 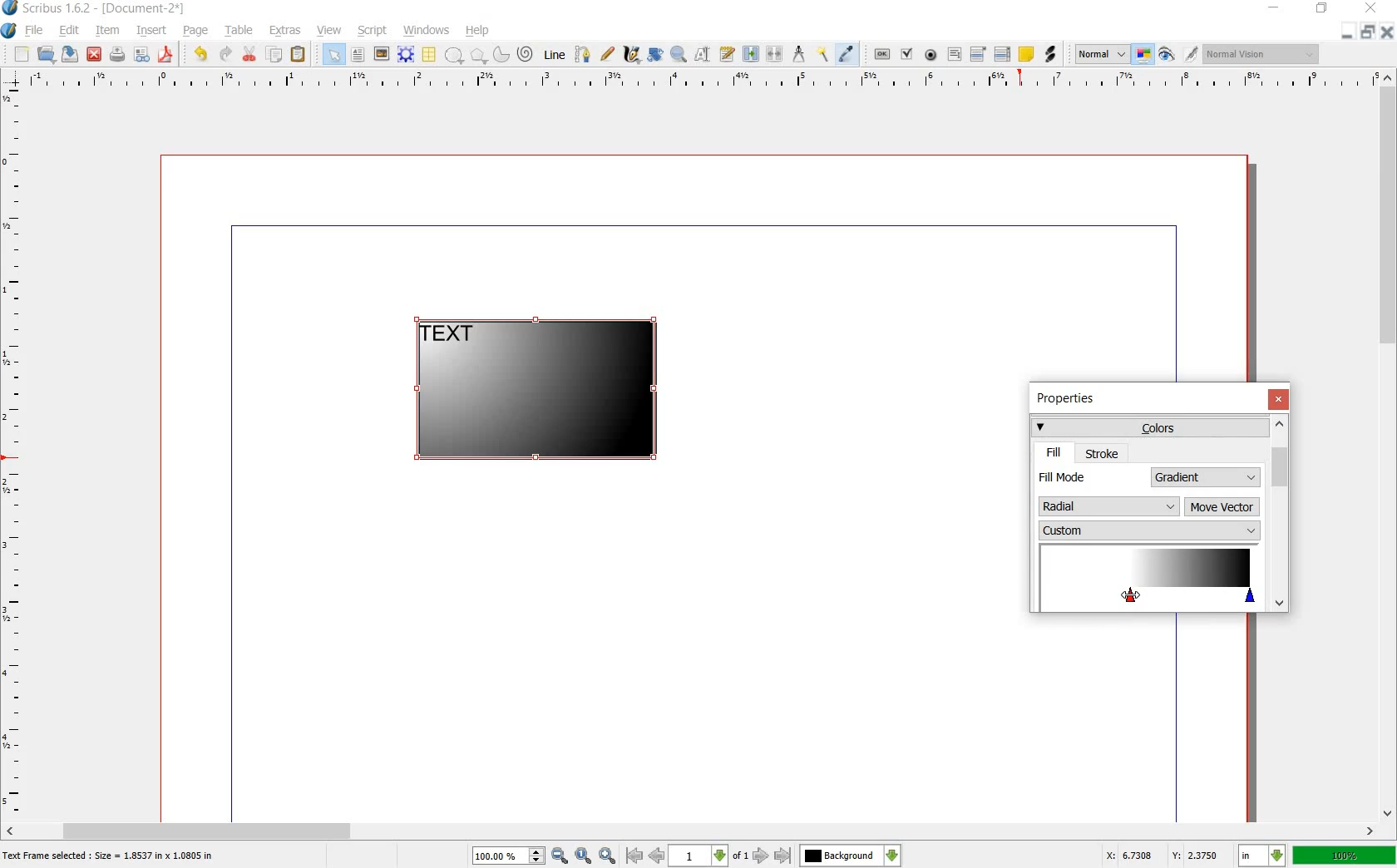 I want to click on ruler, so click(x=696, y=81).